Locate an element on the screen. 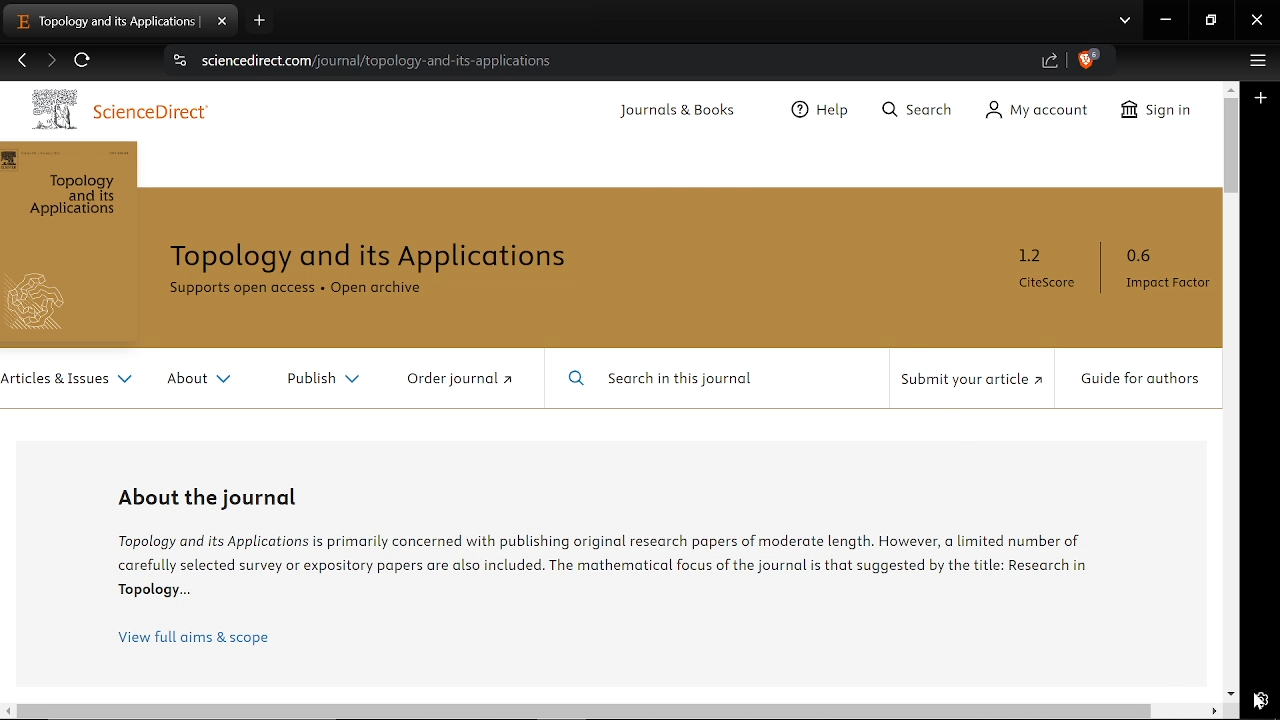  Vertical scrollbar is located at coordinates (1232, 146).